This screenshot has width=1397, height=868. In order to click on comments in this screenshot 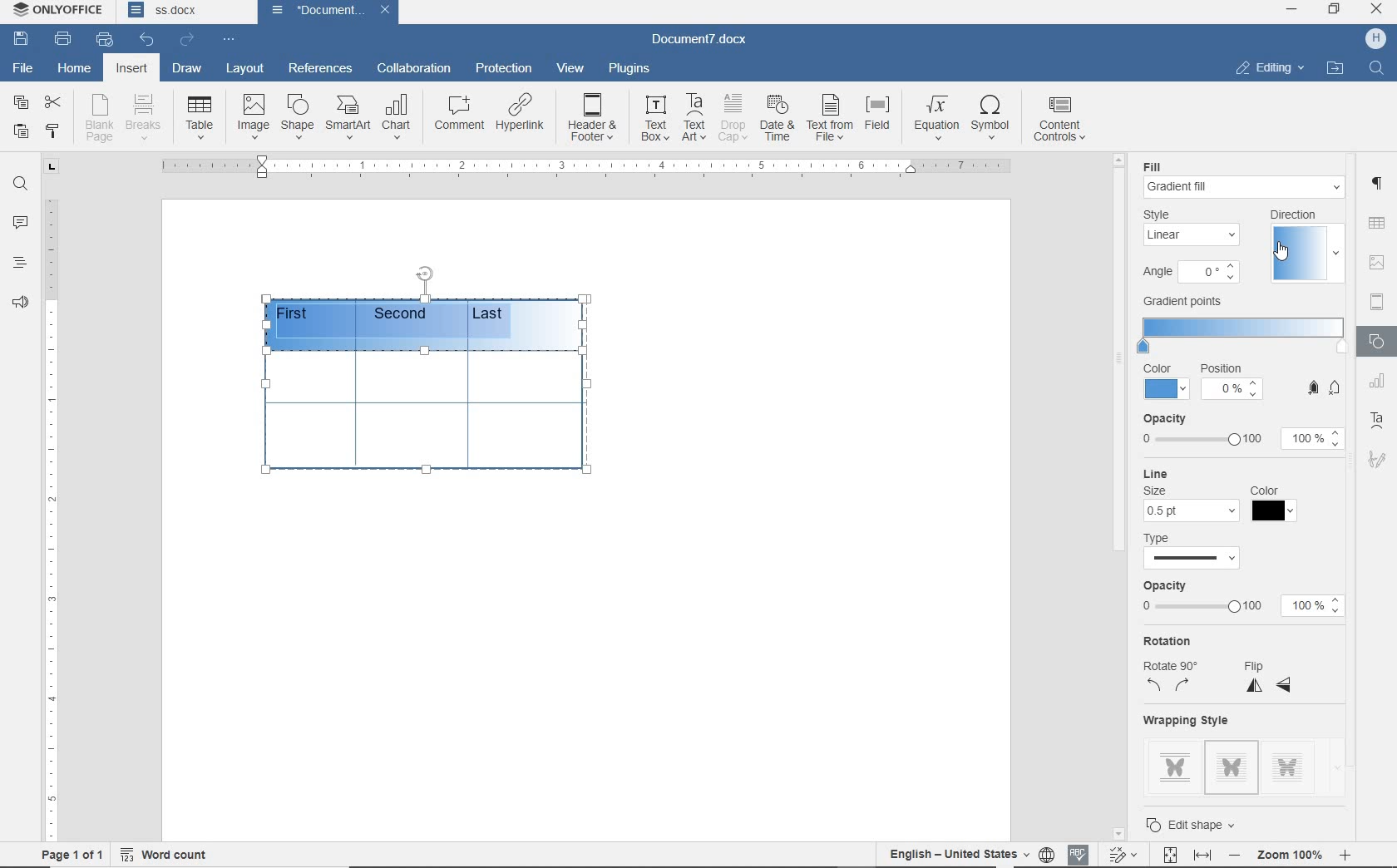, I will do `click(22, 223)`.